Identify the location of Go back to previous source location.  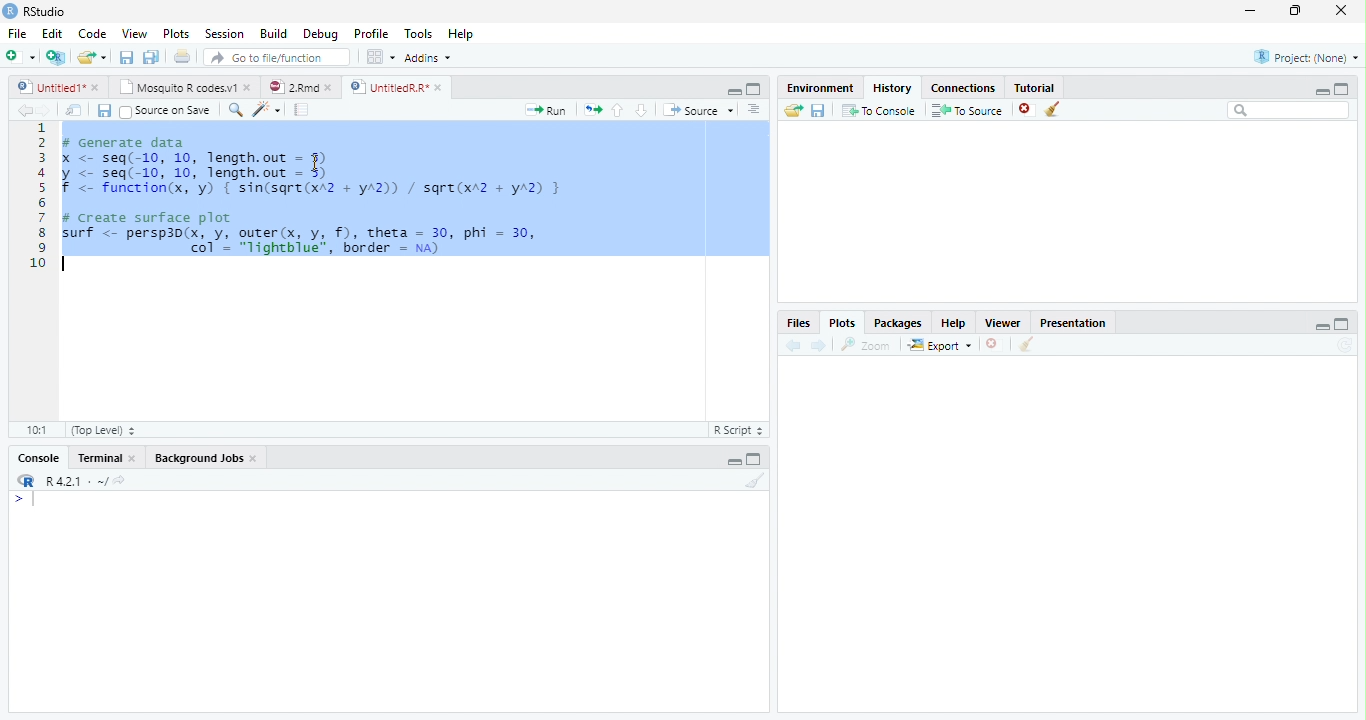
(24, 110).